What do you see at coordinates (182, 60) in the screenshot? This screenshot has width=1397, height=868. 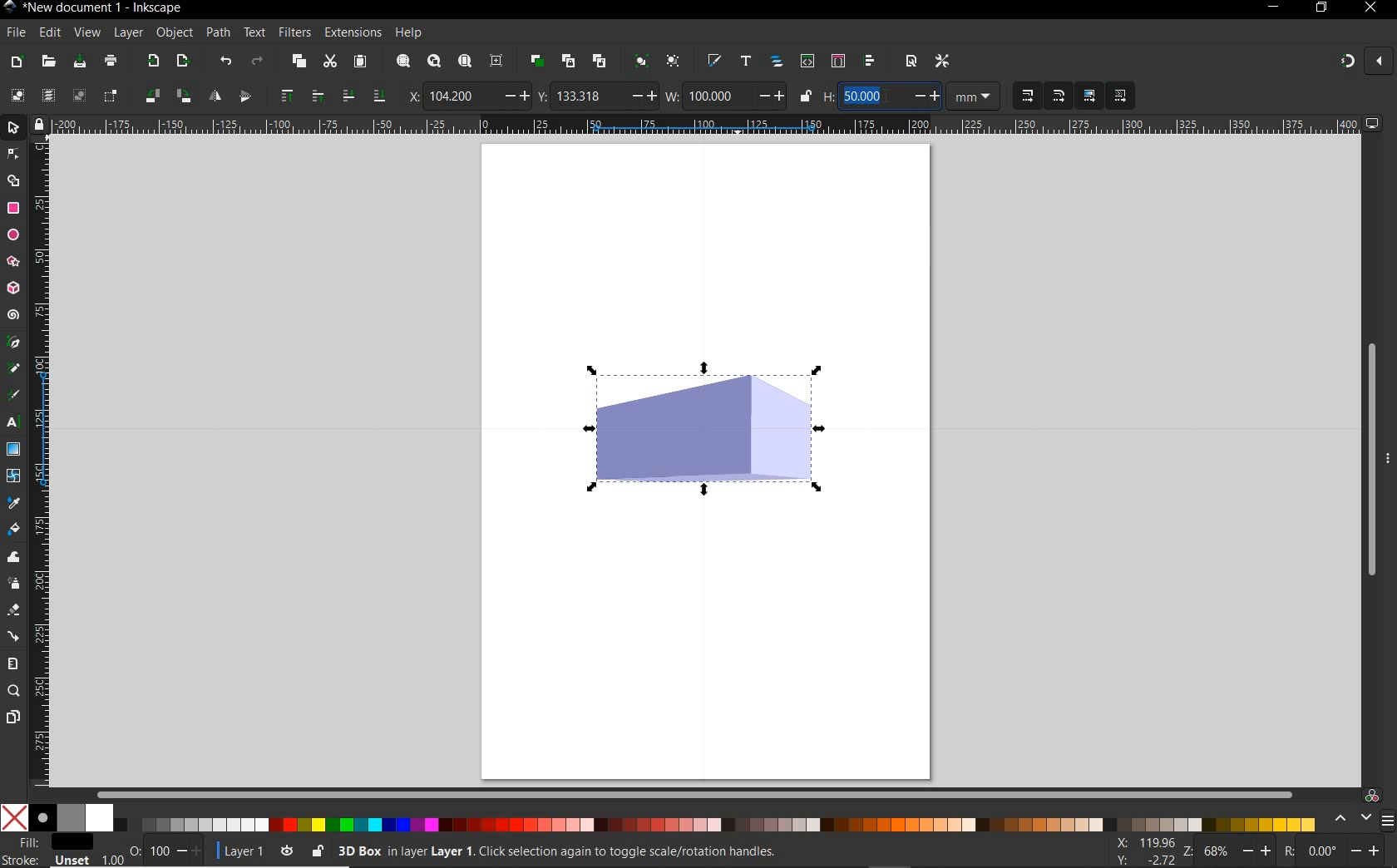 I see `open export` at bounding box center [182, 60].